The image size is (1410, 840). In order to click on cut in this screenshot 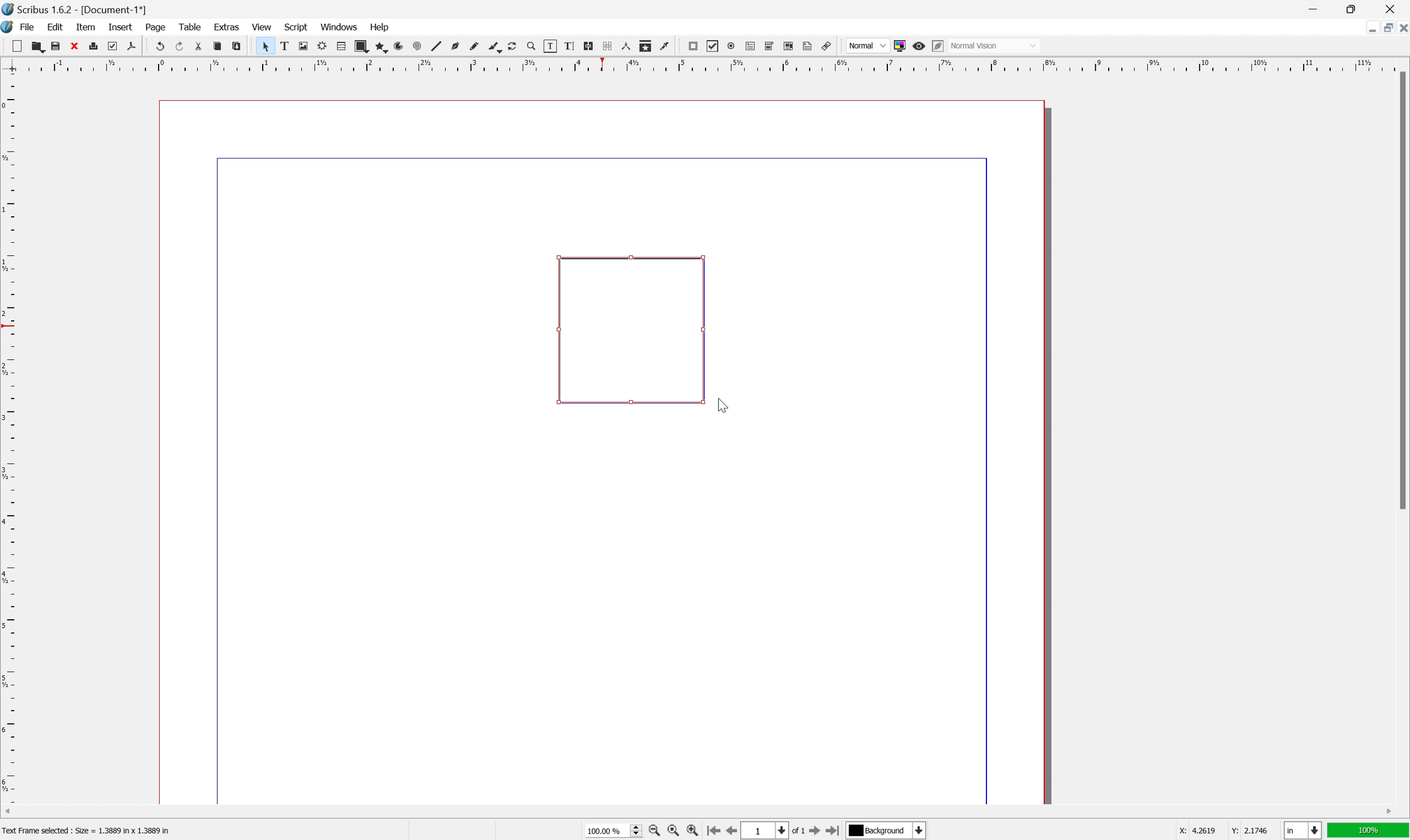, I will do `click(199, 46)`.